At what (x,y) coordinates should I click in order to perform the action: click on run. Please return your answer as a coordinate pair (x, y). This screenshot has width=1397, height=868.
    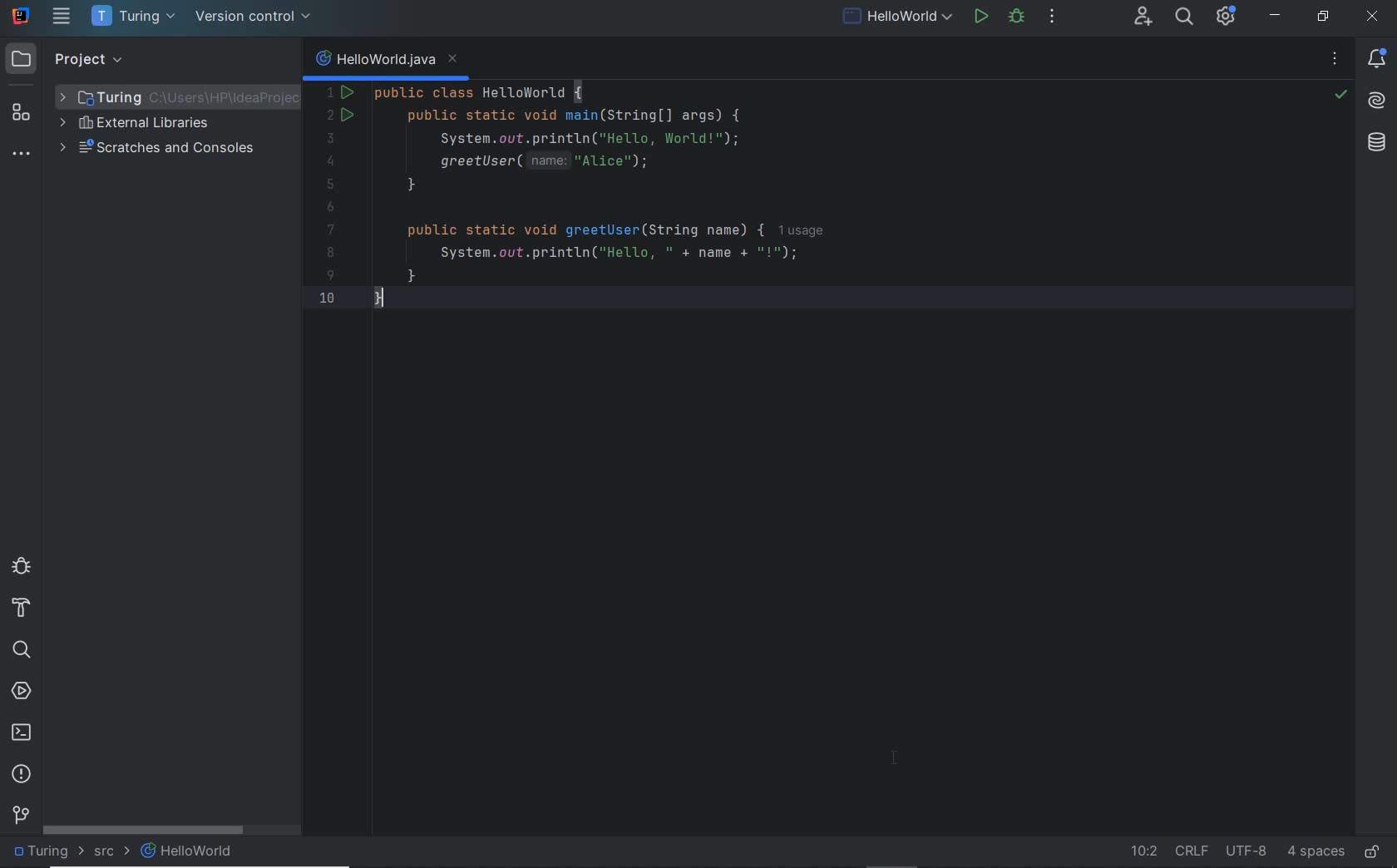
    Looking at the image, I should click on (980, 16).